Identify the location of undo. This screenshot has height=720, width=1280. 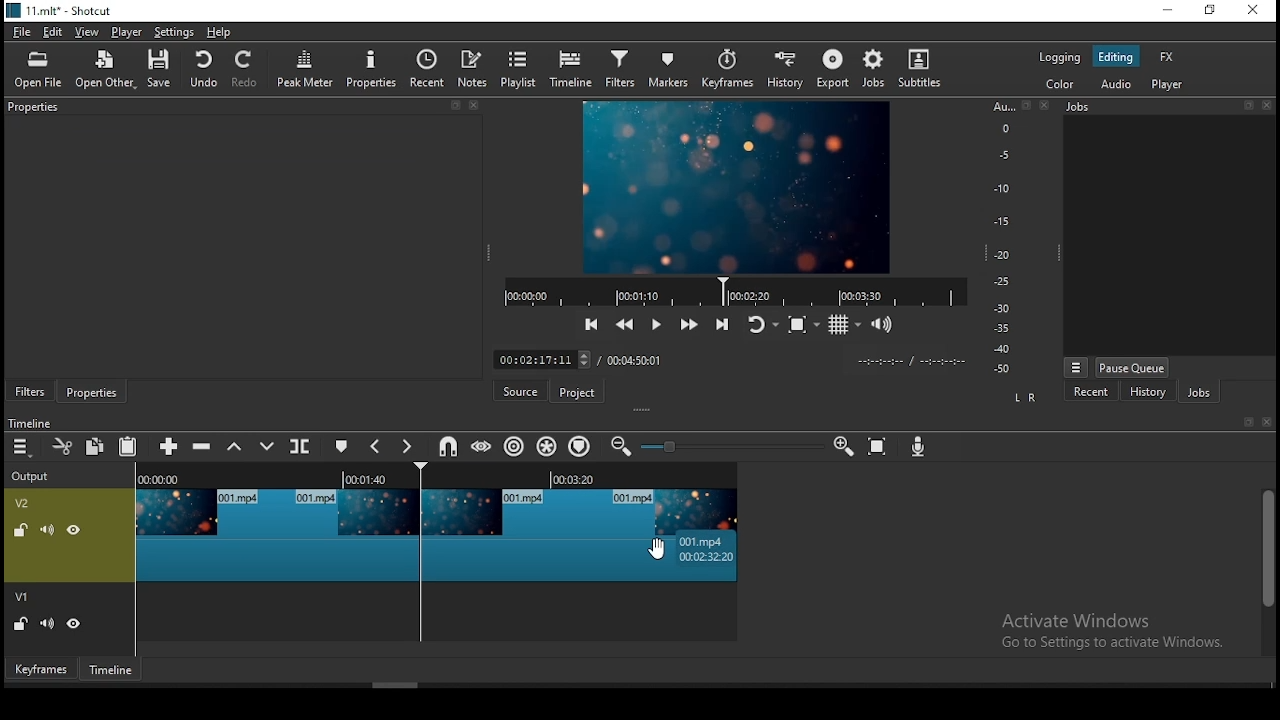
(203, 70).